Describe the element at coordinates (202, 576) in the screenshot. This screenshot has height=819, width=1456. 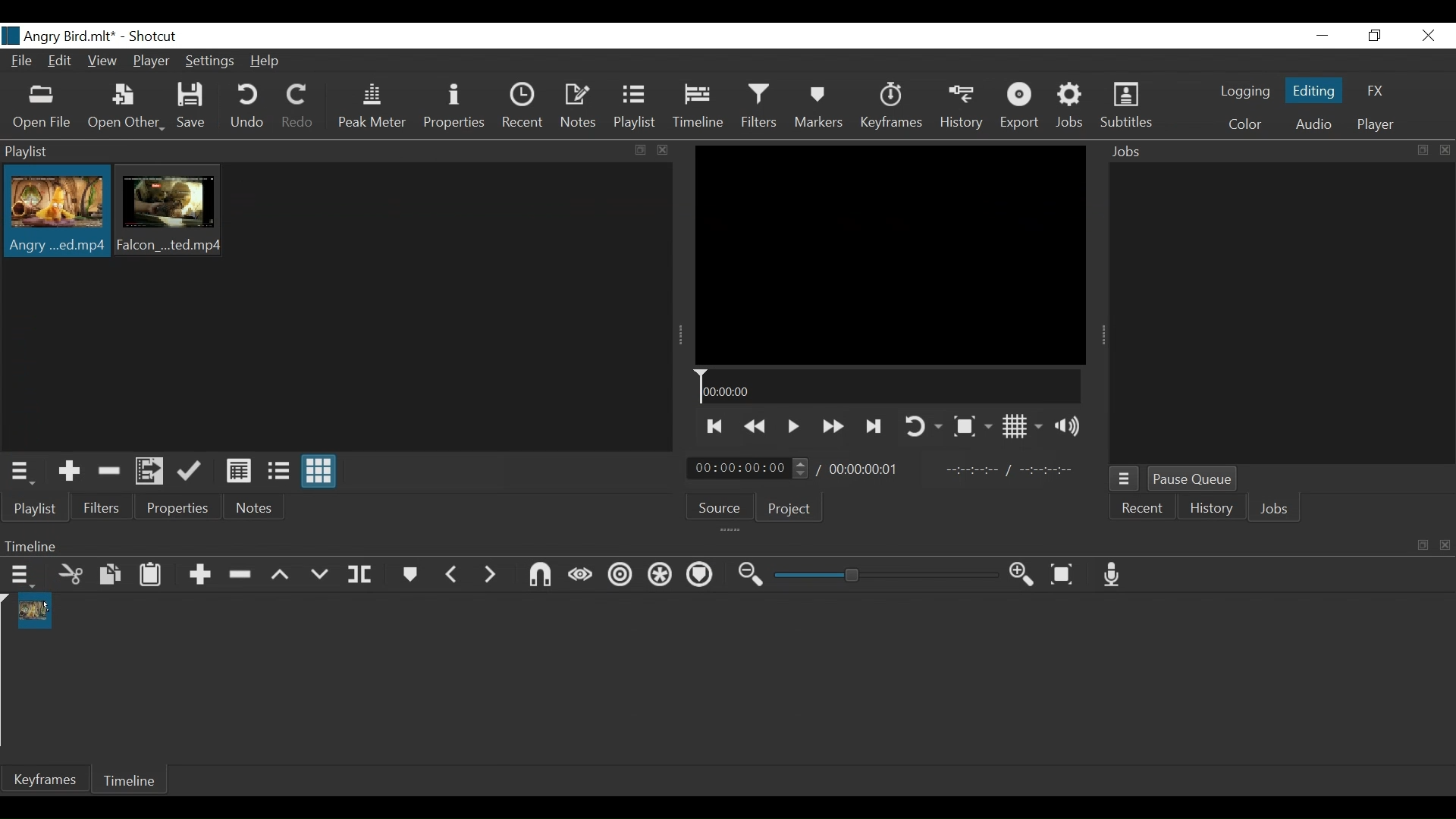
I see `Append` at that location.